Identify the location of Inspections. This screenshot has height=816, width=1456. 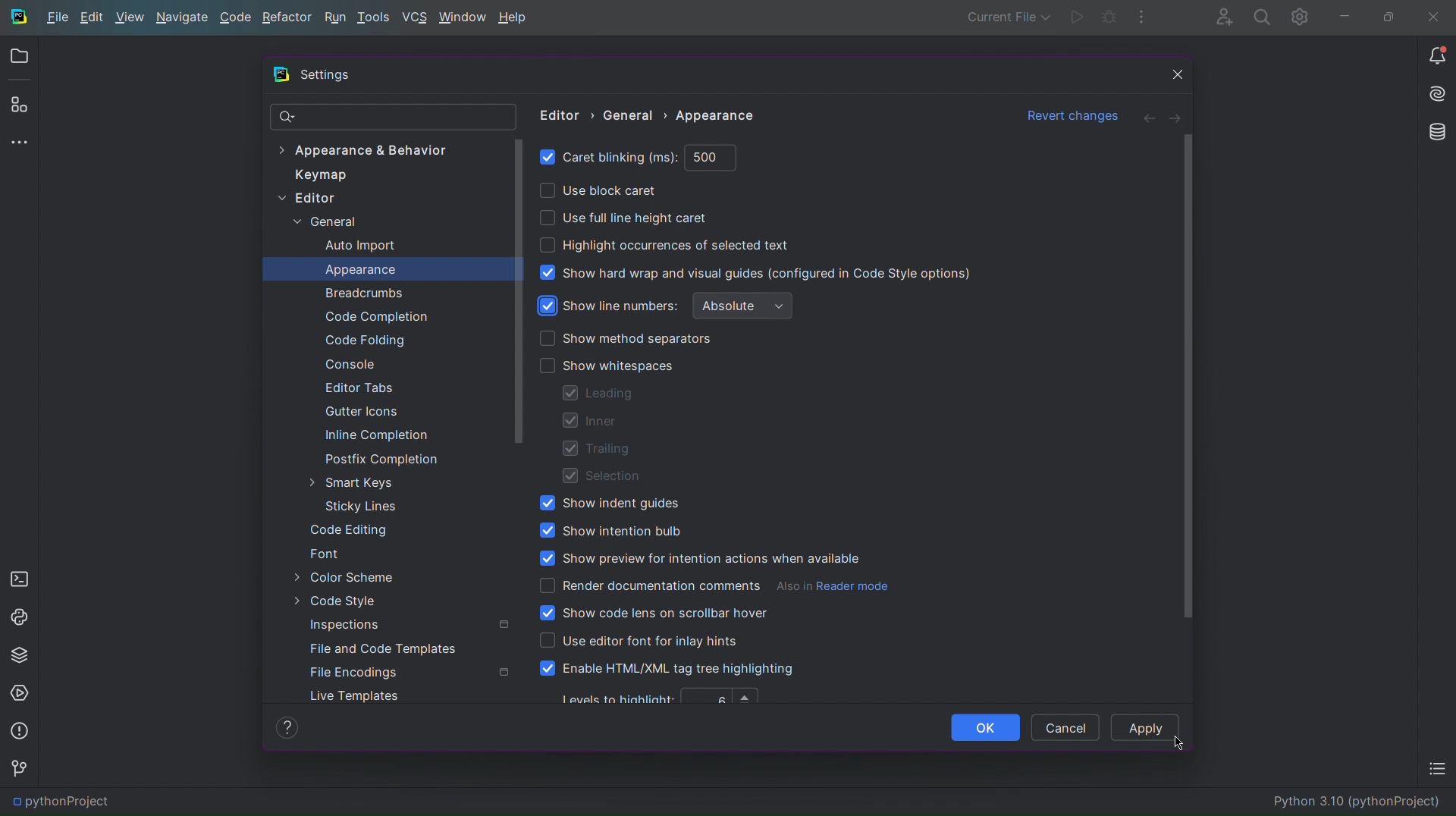
(350, 626).